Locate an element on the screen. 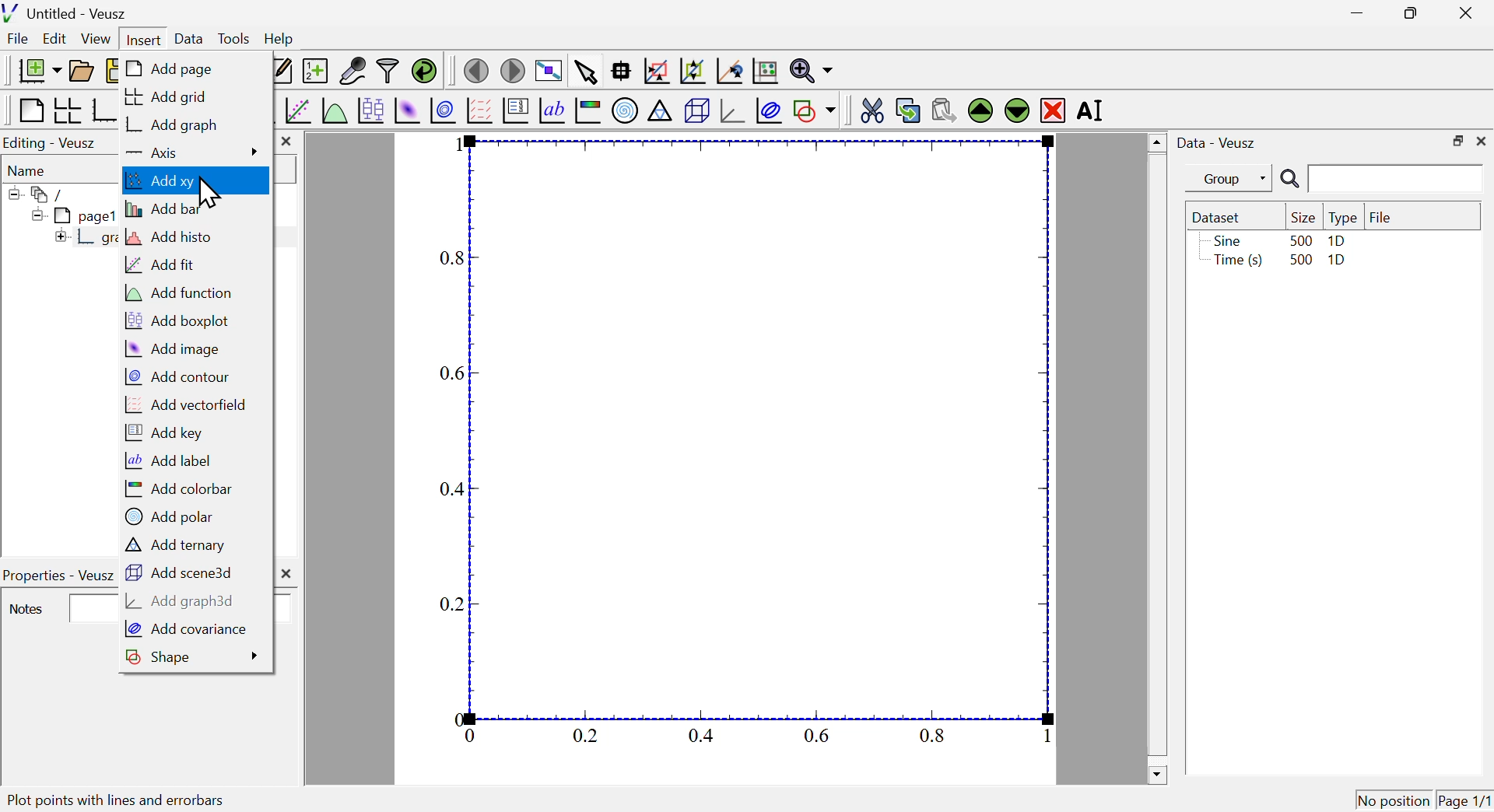 This screenshot has width=1494, height=812. Properties - veusz is located at coordinates (58, 576).